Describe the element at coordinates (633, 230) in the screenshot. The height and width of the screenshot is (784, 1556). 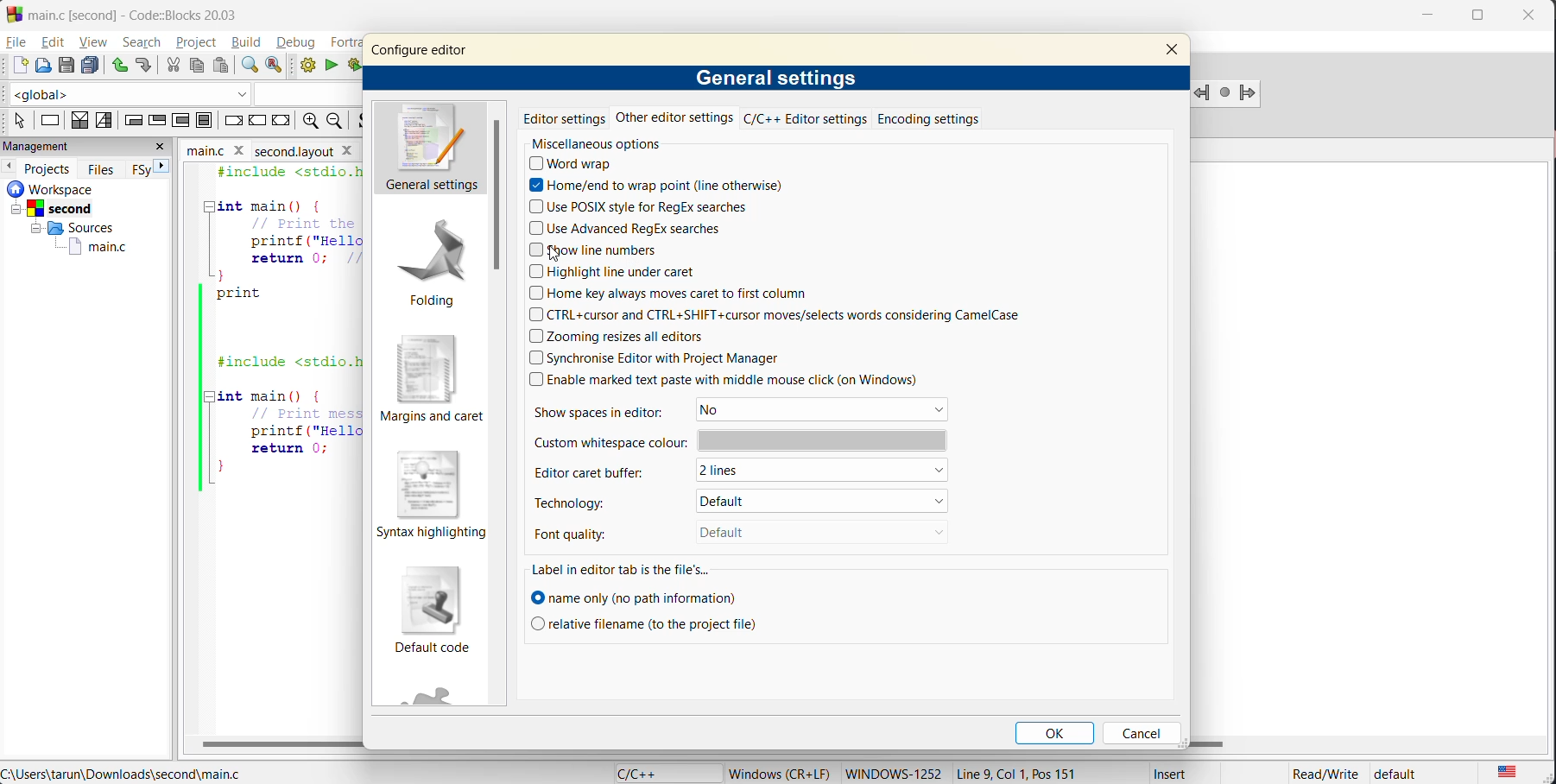
I see `use advanced regex searches` at that location.